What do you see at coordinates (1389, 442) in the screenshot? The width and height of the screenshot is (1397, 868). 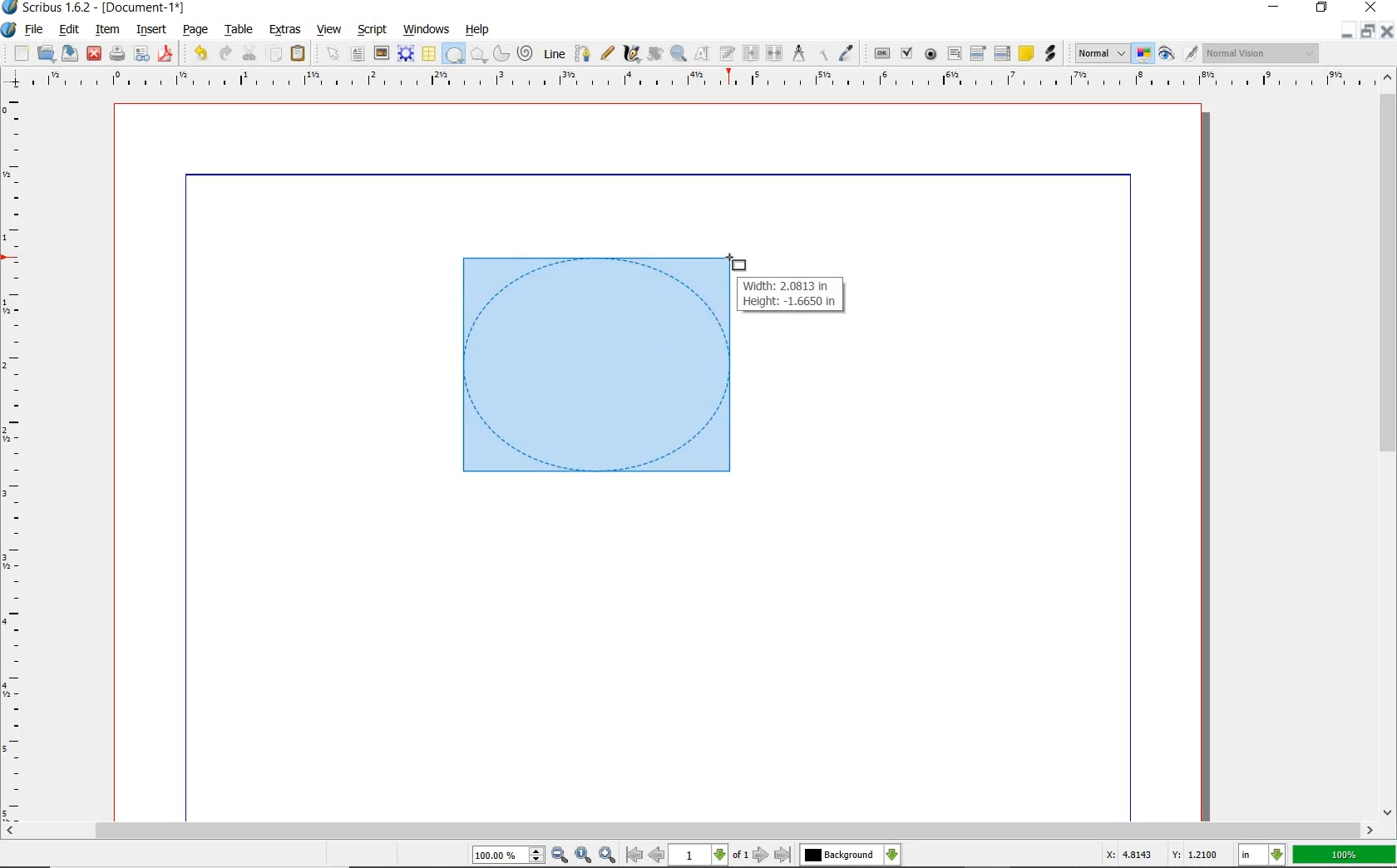 I see `SCROLLBAR` at bounding box center [1389, 442].